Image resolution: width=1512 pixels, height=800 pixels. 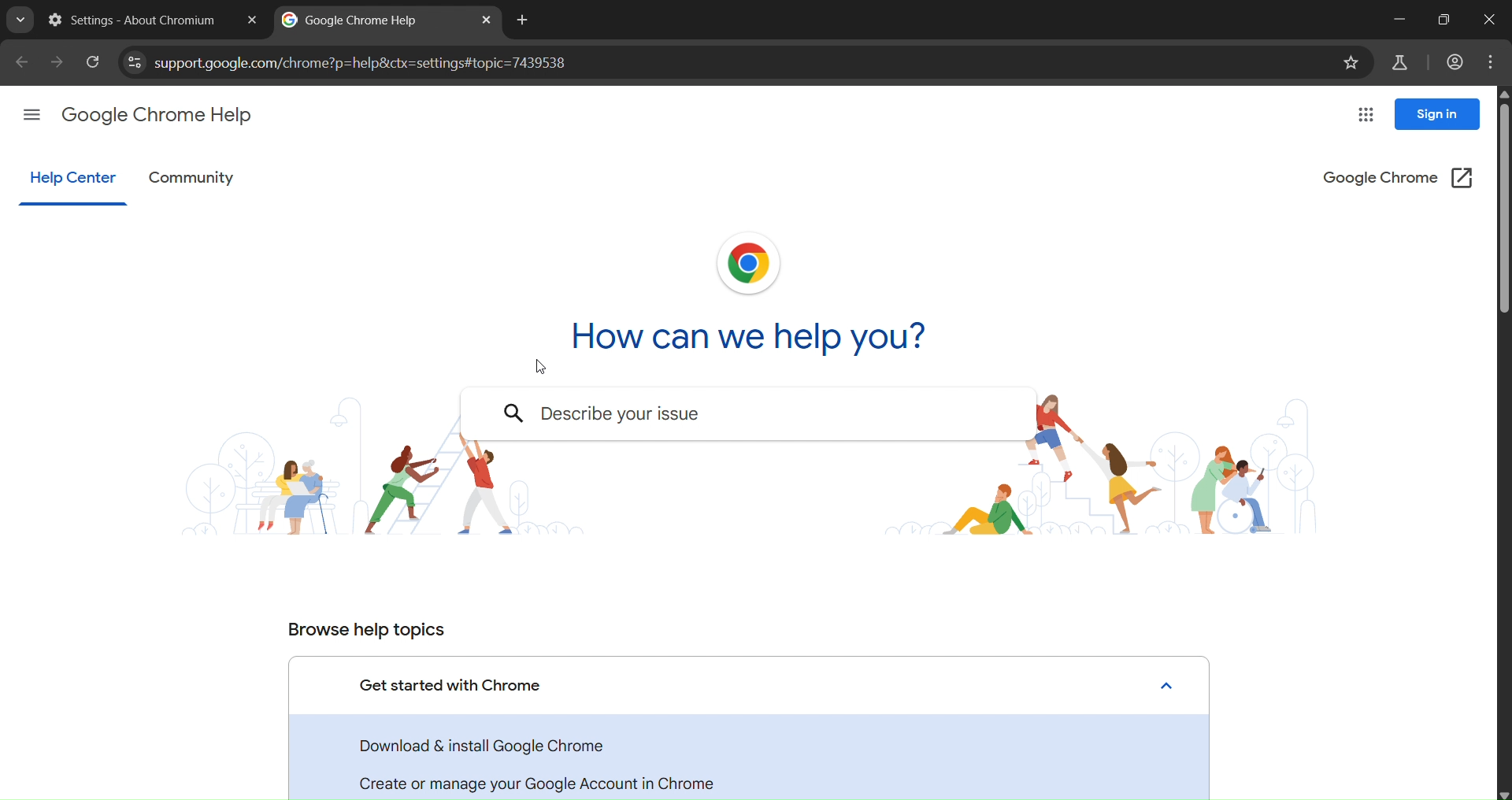 I want to click on Maximize, so click(x=1443, y=19).